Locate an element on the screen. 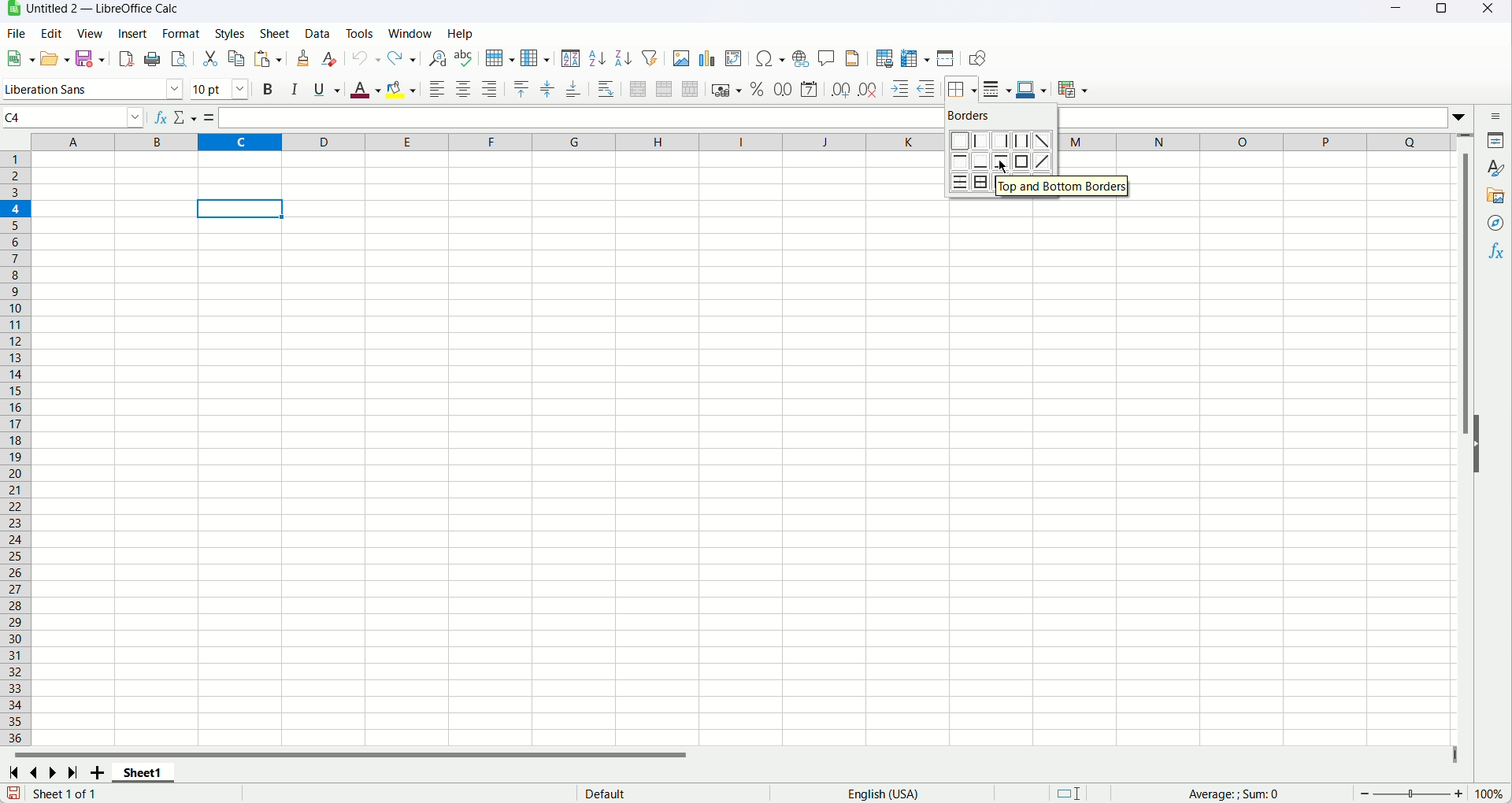 The width and height of the screenshot is (1512, 803). Help is located at coordinates (461, 34).